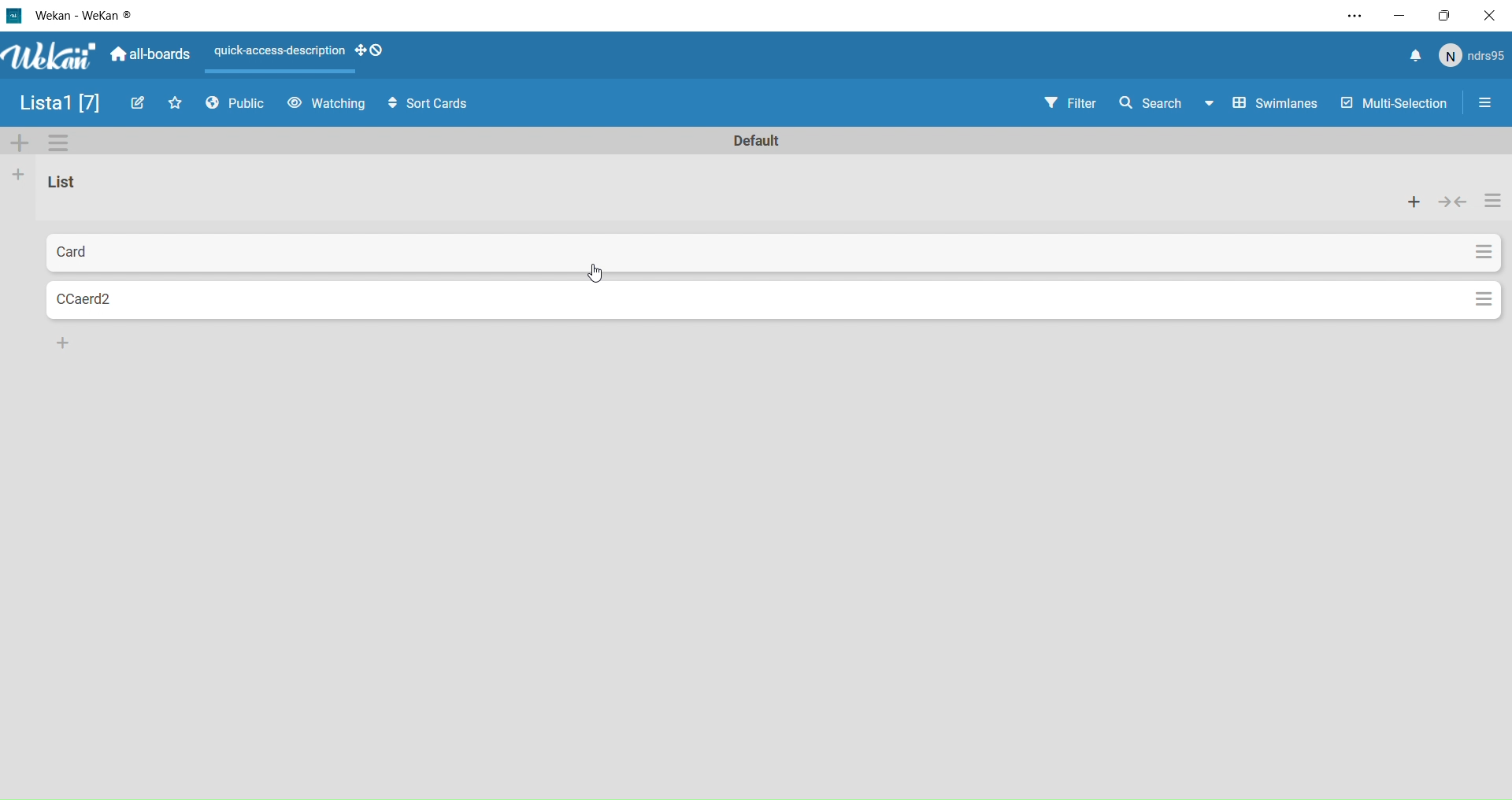 Image resolution: width=1512 pixels, height=800 pixels. Describe the element at coordinates (1153, 102) in the screenshot. I see `Search` at that location.